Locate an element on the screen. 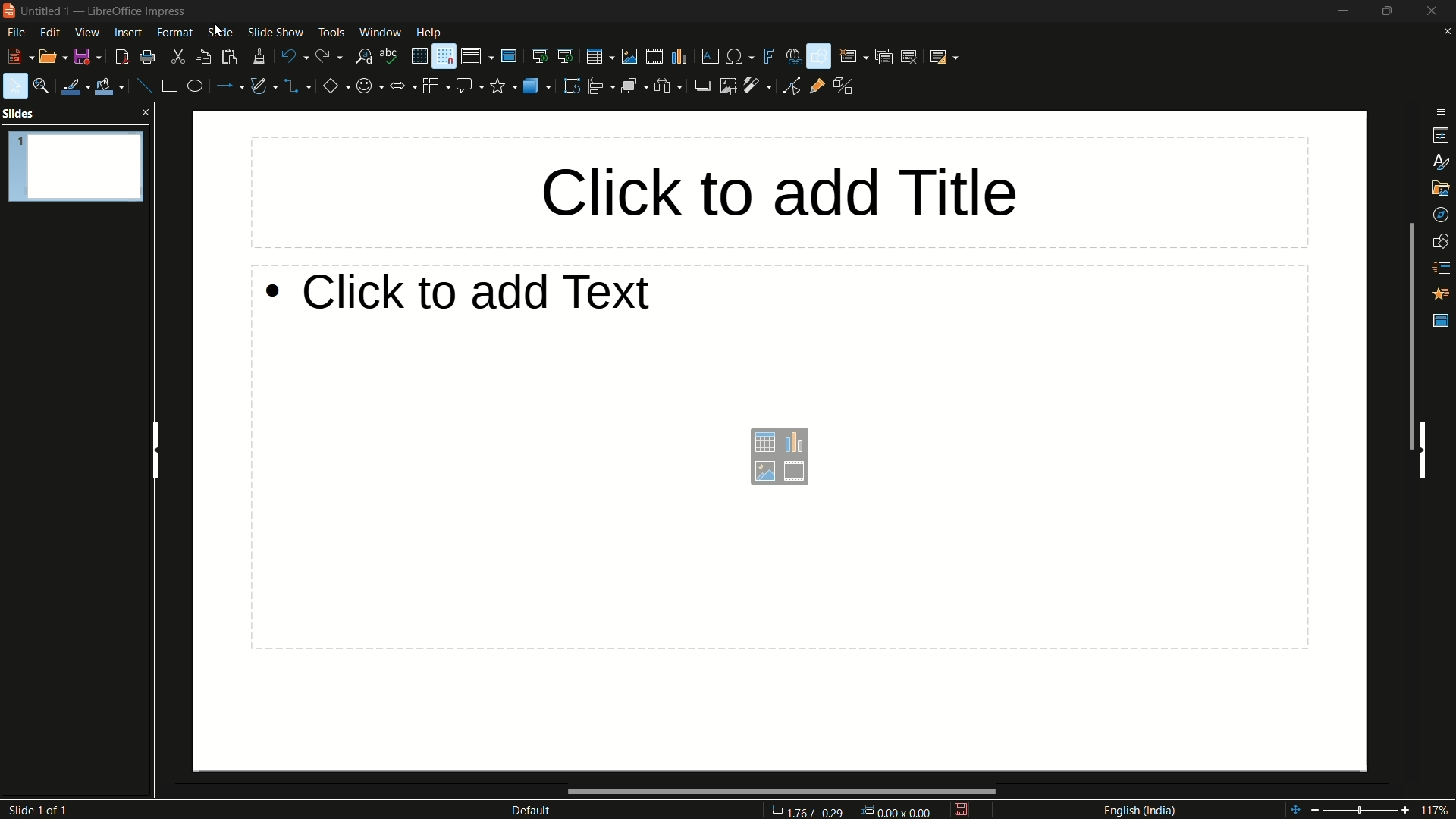 The width and height of the screenshot is (1456, 819). view menu is located at coordinates (86, 33).